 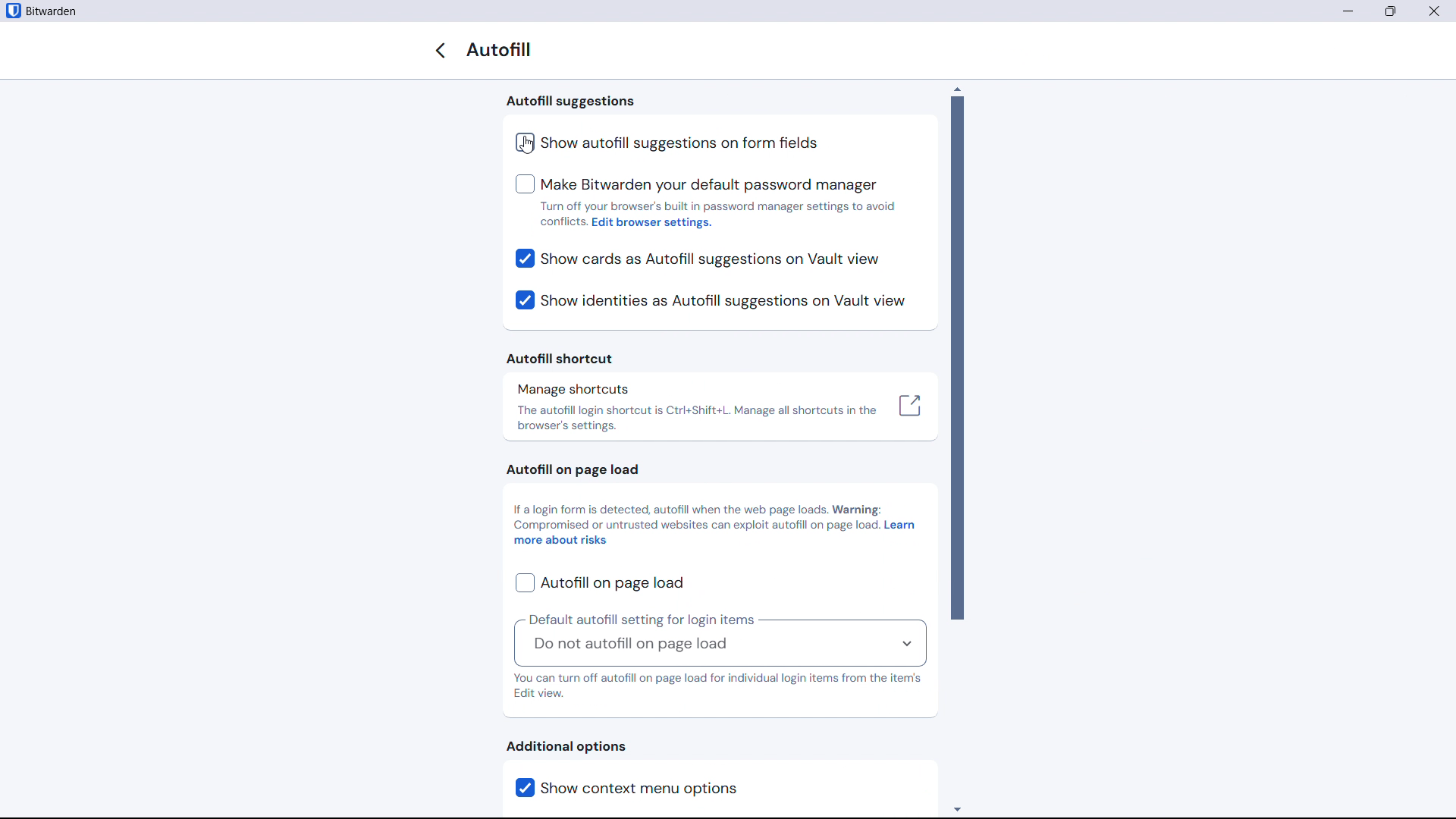 What do you see at coordinates (561, 358) in the screenshot?
I see `Autofill shortcut` at bounding box center [561, 358].